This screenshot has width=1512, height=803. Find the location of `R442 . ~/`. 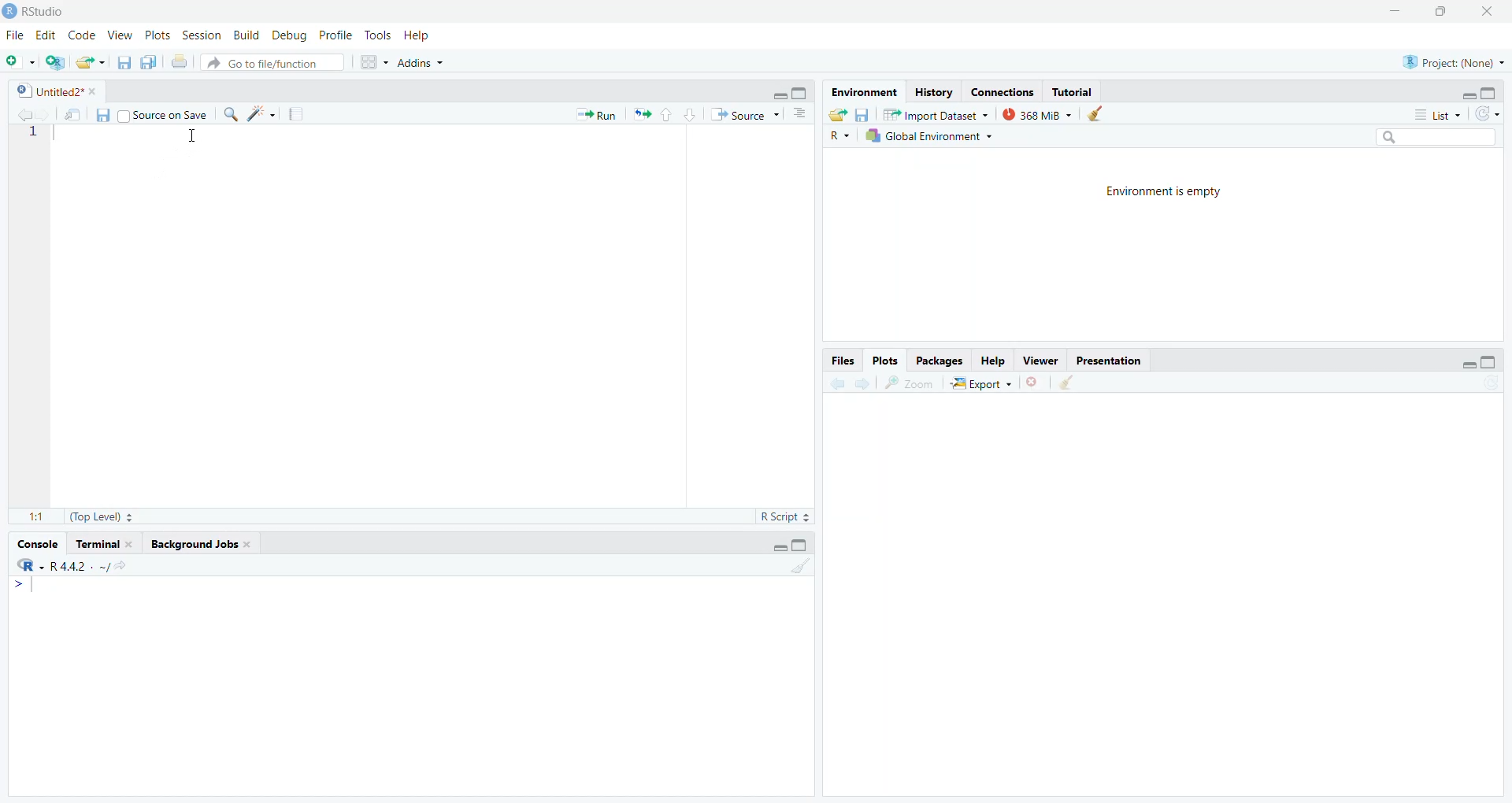

R442 . ~/ is located at coordinates (63, 565).